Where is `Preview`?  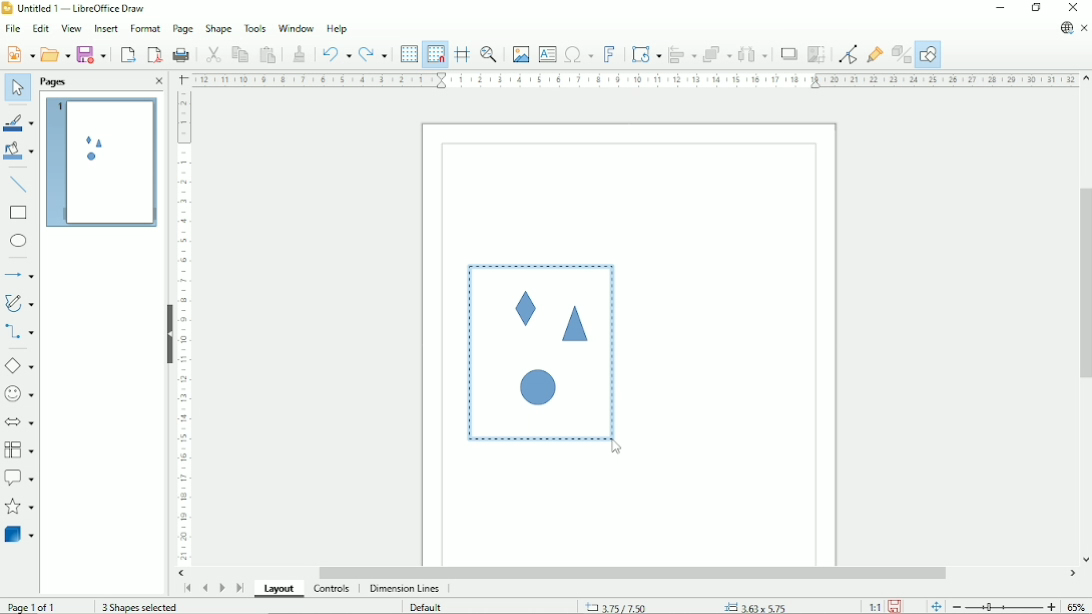 Preview is located at coordinates (99, 163).